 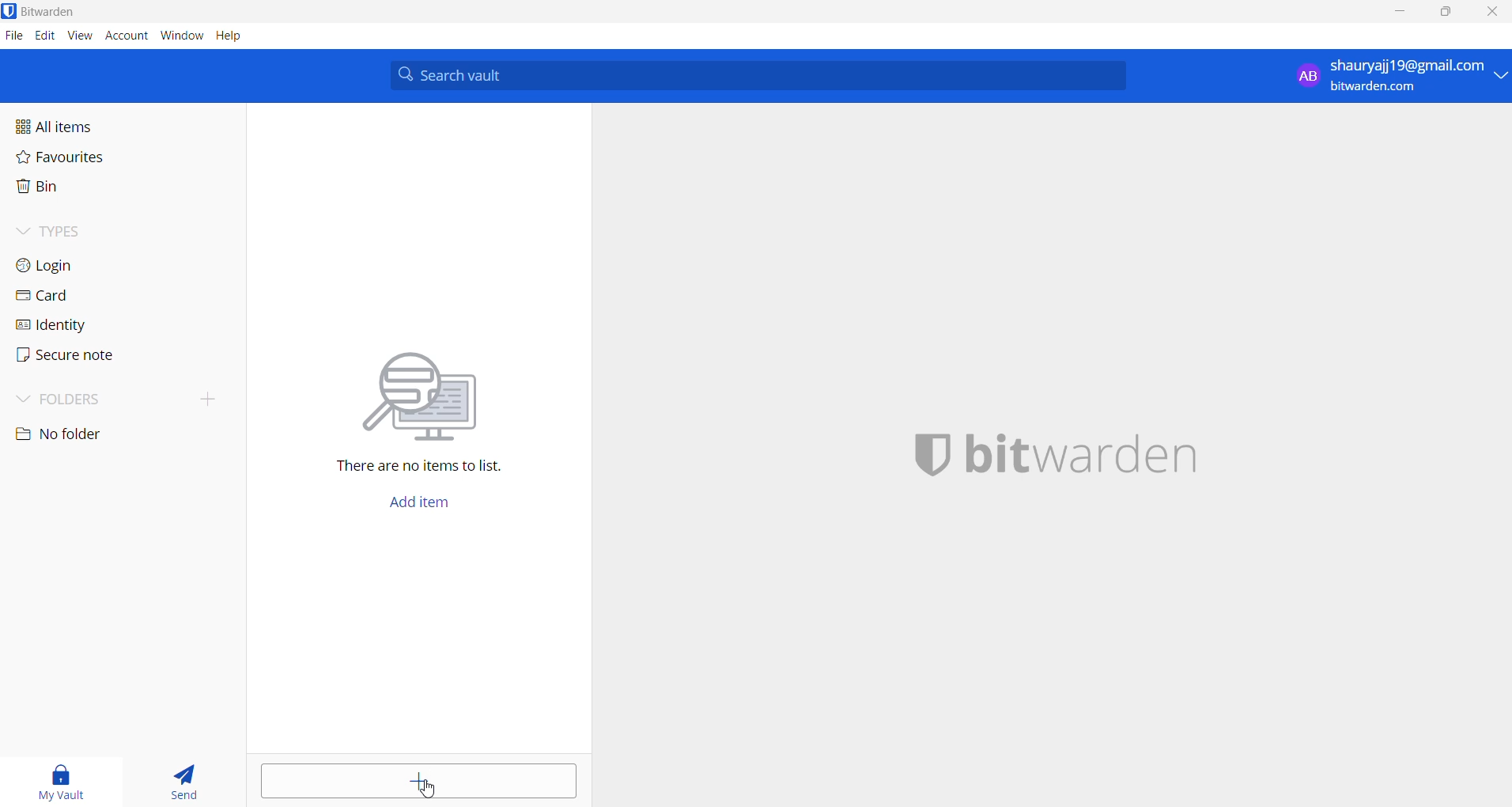 I want to click on file, so click(x=13, y=36).